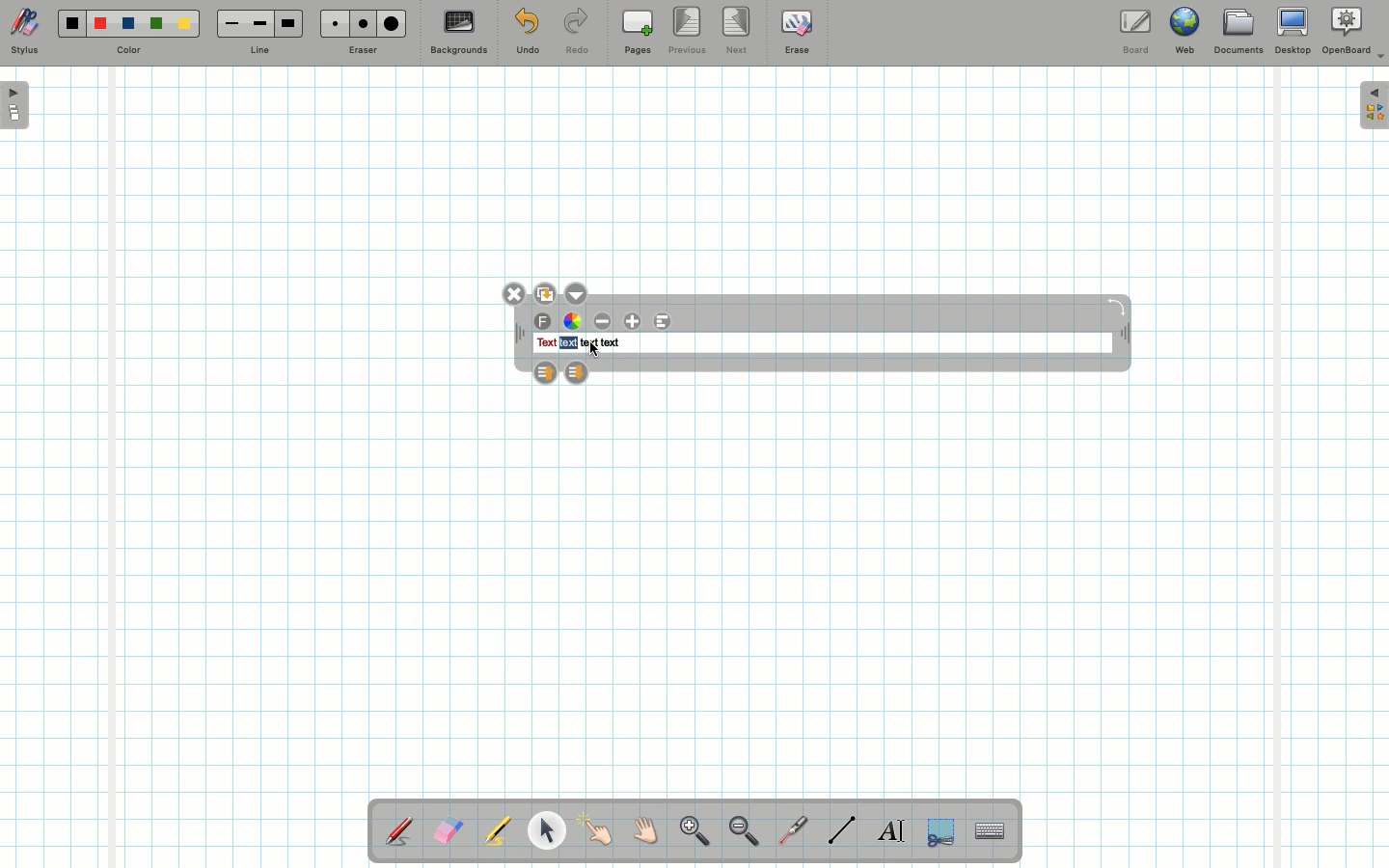 This screenshot has width=1389, height=868. Describe the element at coordinates (1374, 105) in the screenshot. I see `Expand` at that location.